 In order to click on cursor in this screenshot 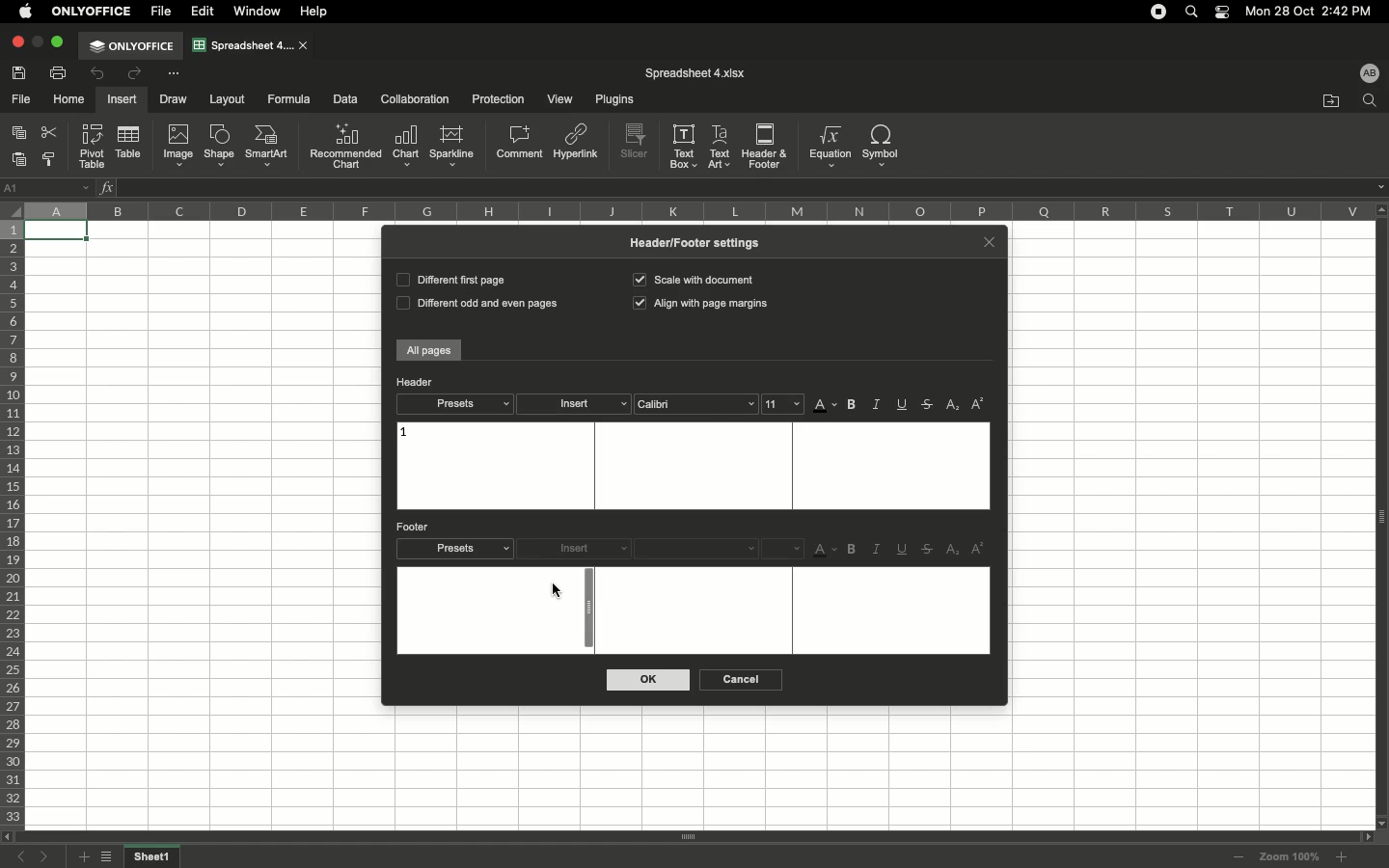, I will do `click(555, 590)`.